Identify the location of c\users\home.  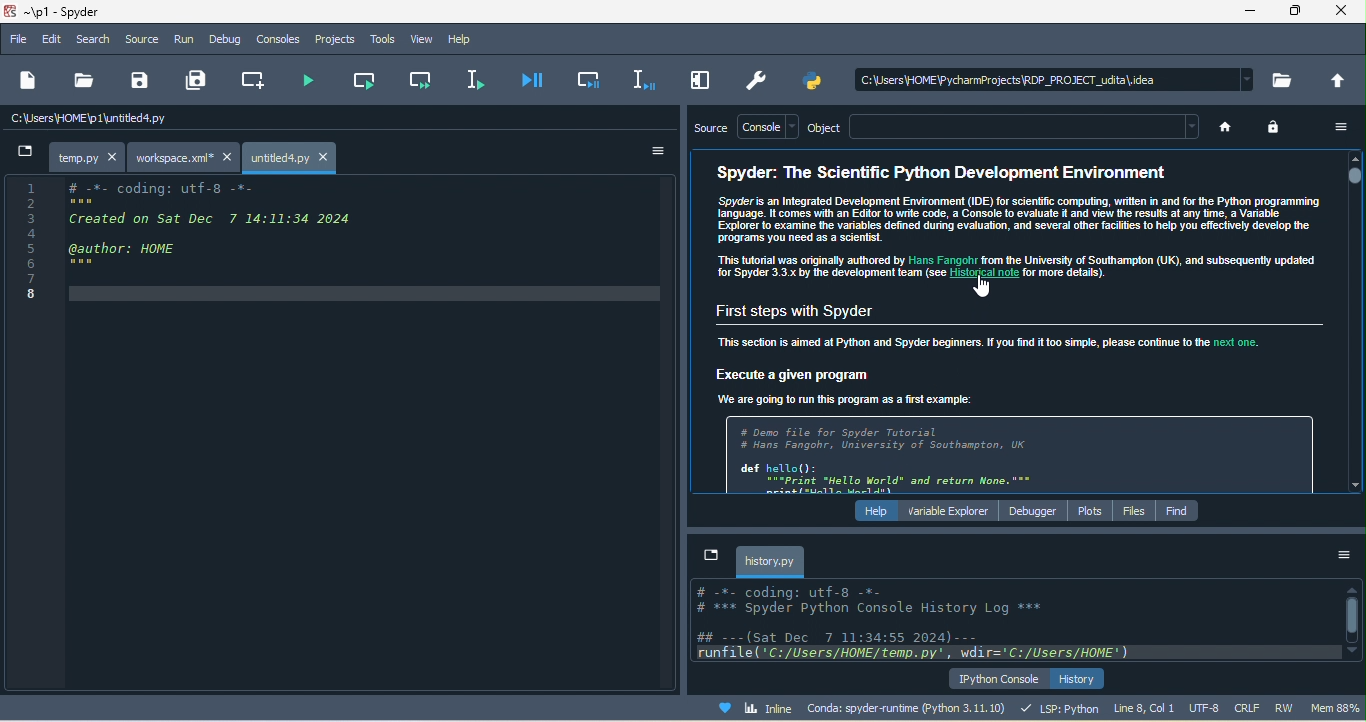
(1055, 76).